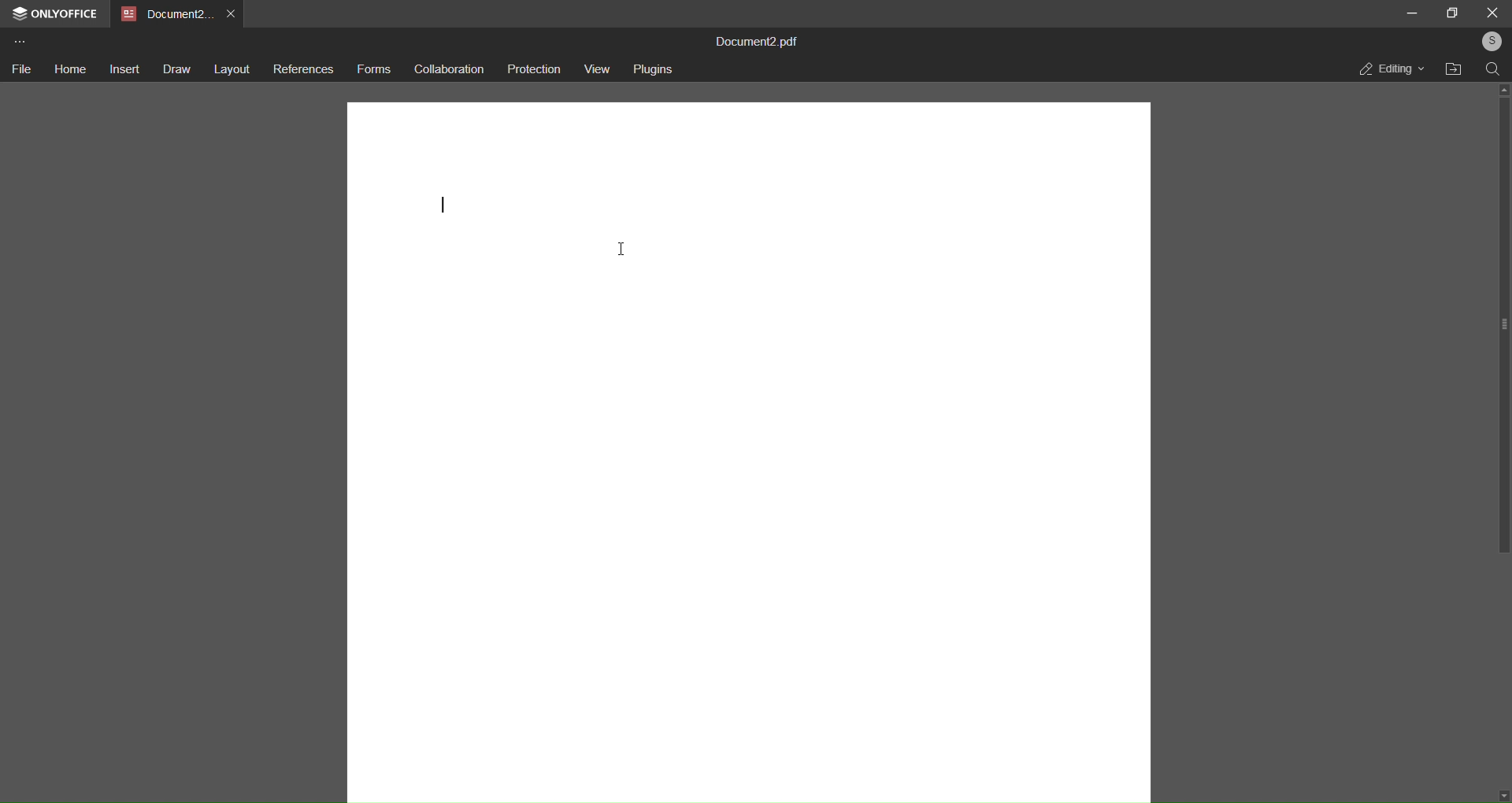  I want to click on title, so click(763, 40).